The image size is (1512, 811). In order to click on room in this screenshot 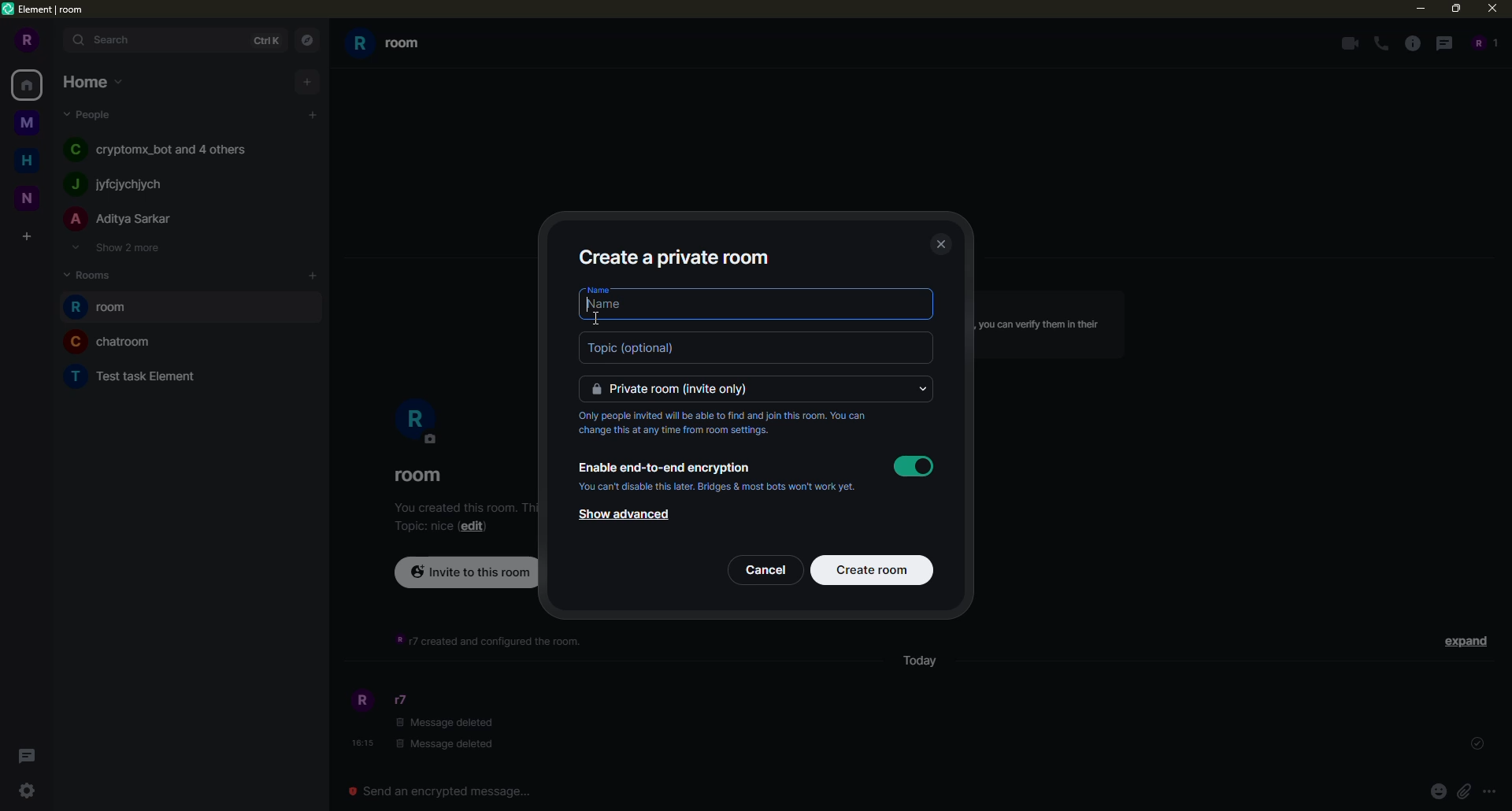, I will do `click(139, 376)`.